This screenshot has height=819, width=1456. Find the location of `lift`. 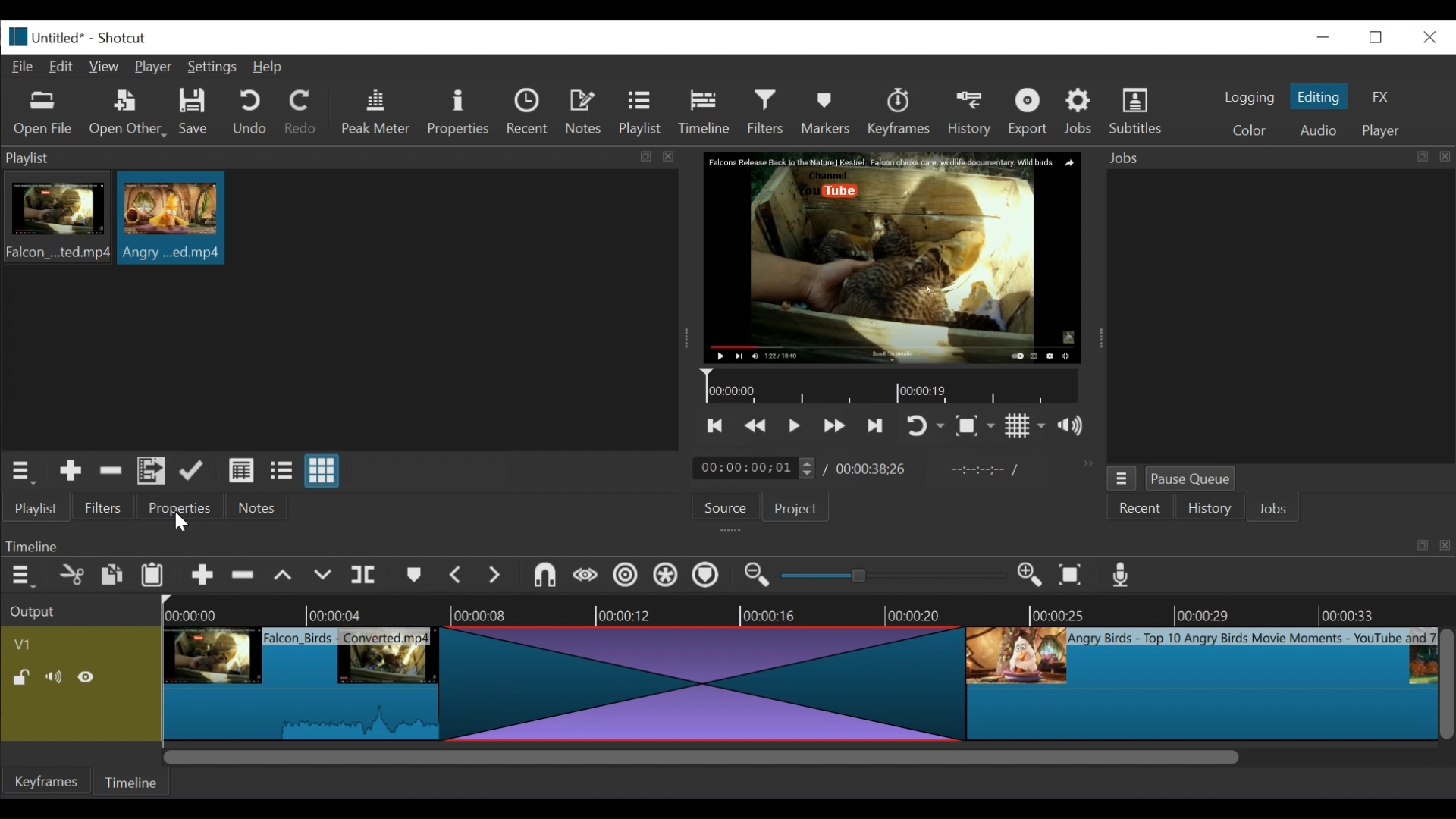

lift is located at coordinates (285, 577).